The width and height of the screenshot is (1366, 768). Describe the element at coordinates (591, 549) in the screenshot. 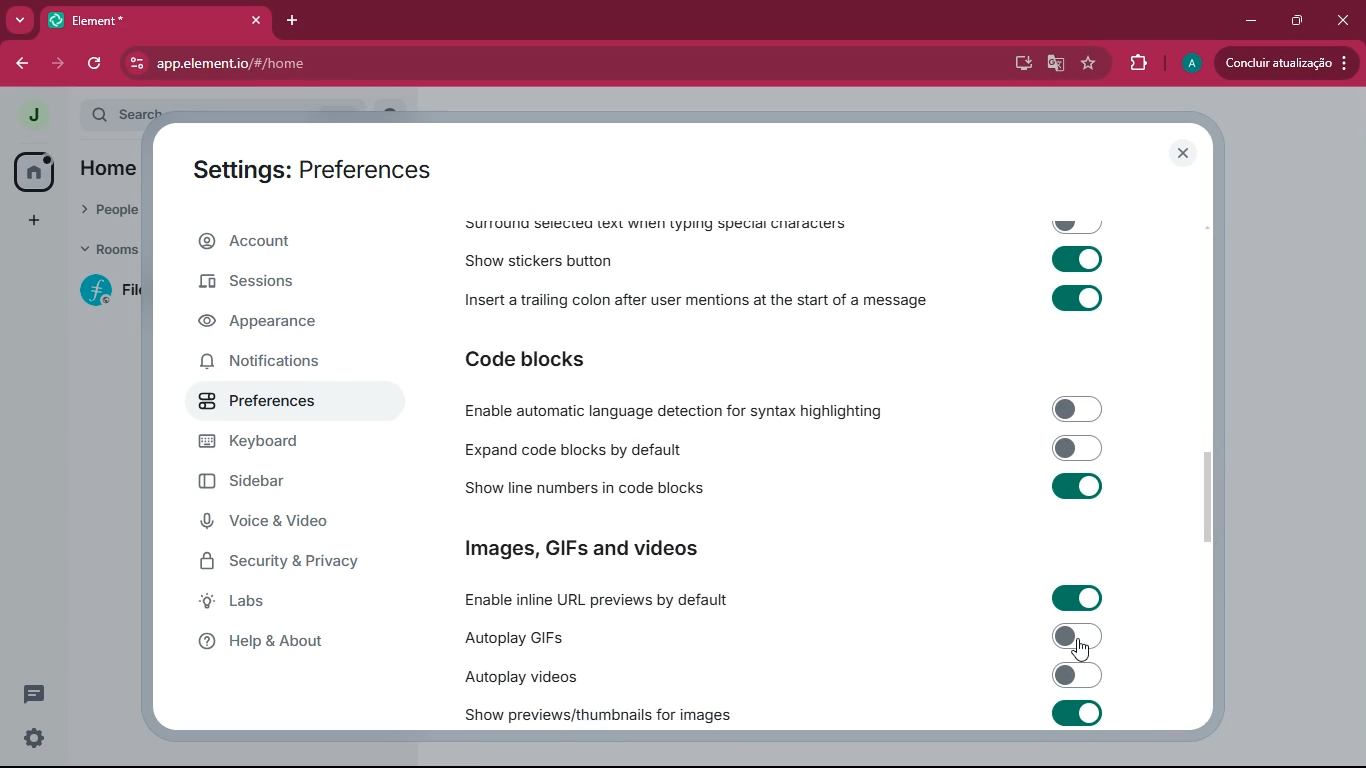

I see `Images, GIFs and videos` at that location.